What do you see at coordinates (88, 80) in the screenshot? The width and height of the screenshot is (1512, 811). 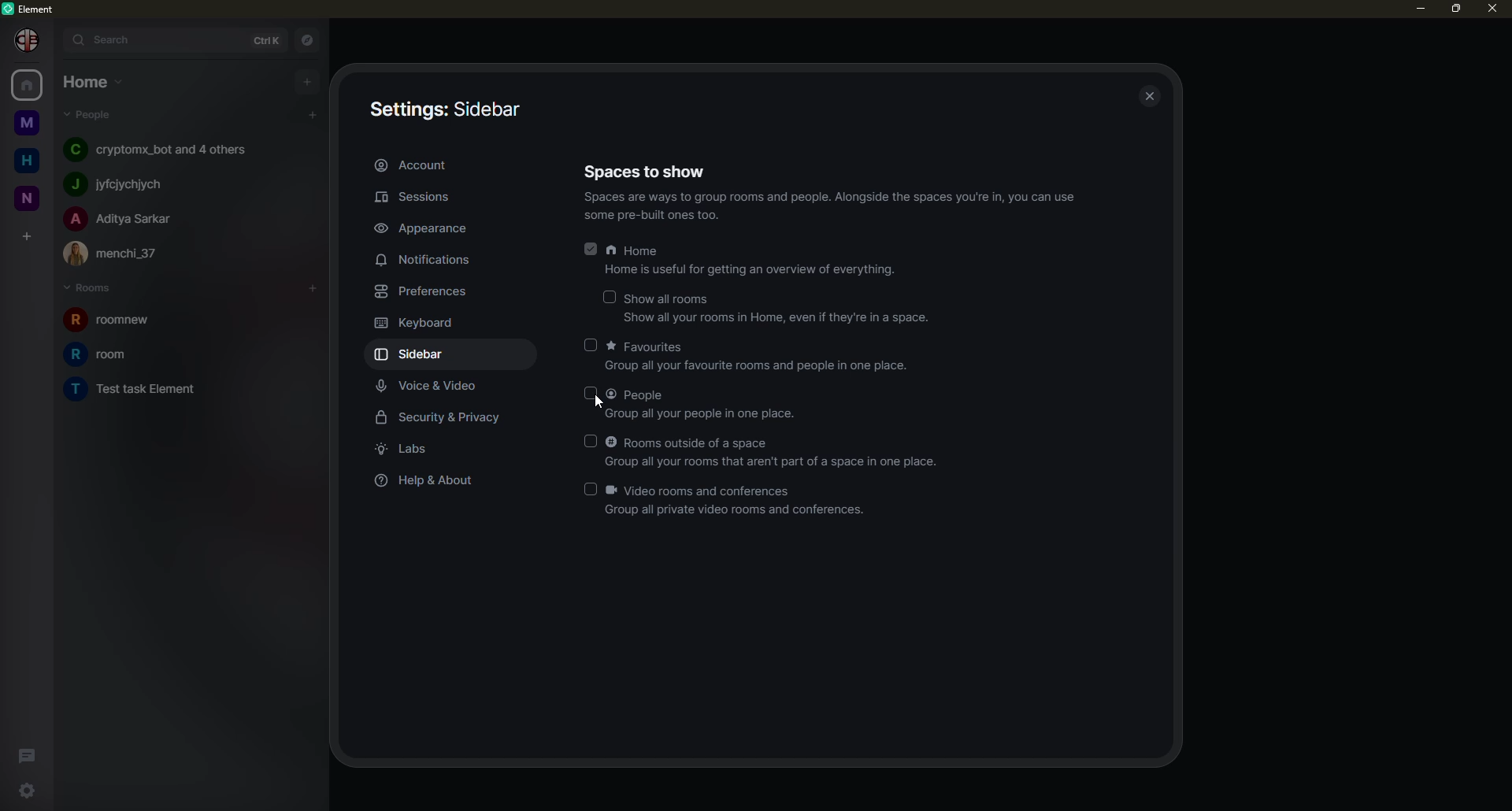 I see `home` at bounding box center [88, 80].